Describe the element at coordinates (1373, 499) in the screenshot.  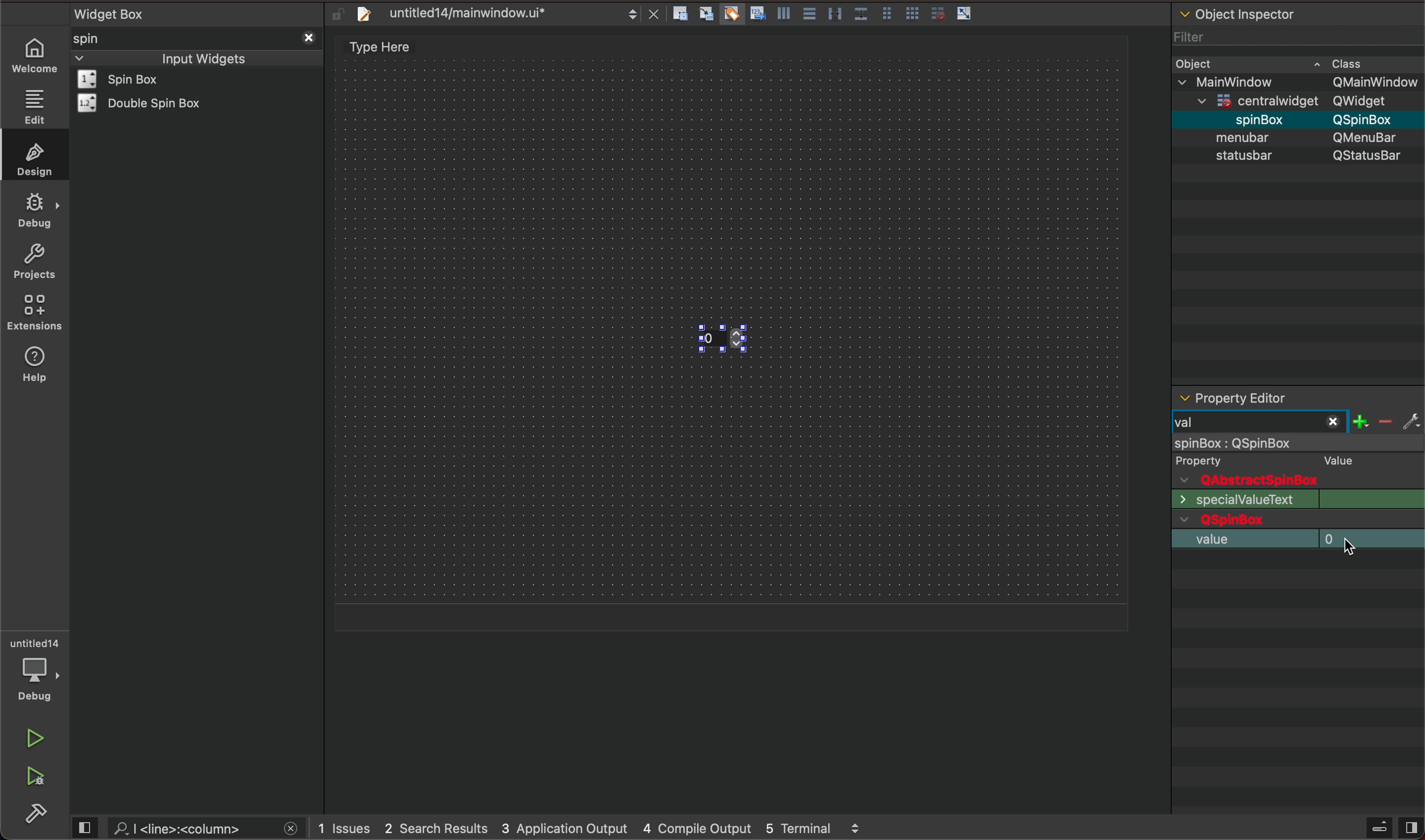
I see `text` at that location.